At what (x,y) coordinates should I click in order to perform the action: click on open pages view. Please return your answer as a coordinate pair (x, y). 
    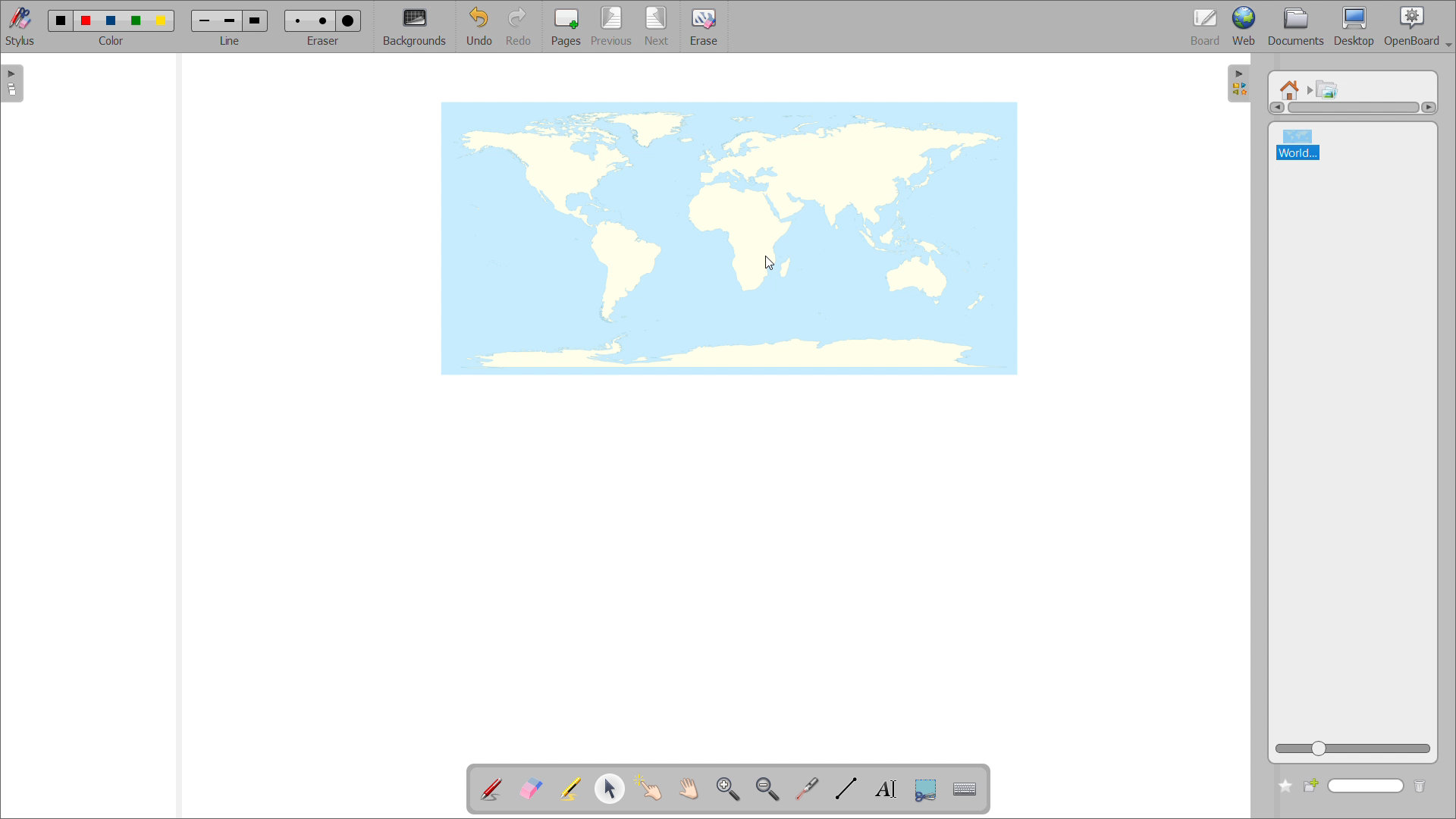
    Looking at the image, I should click on (11, 84).